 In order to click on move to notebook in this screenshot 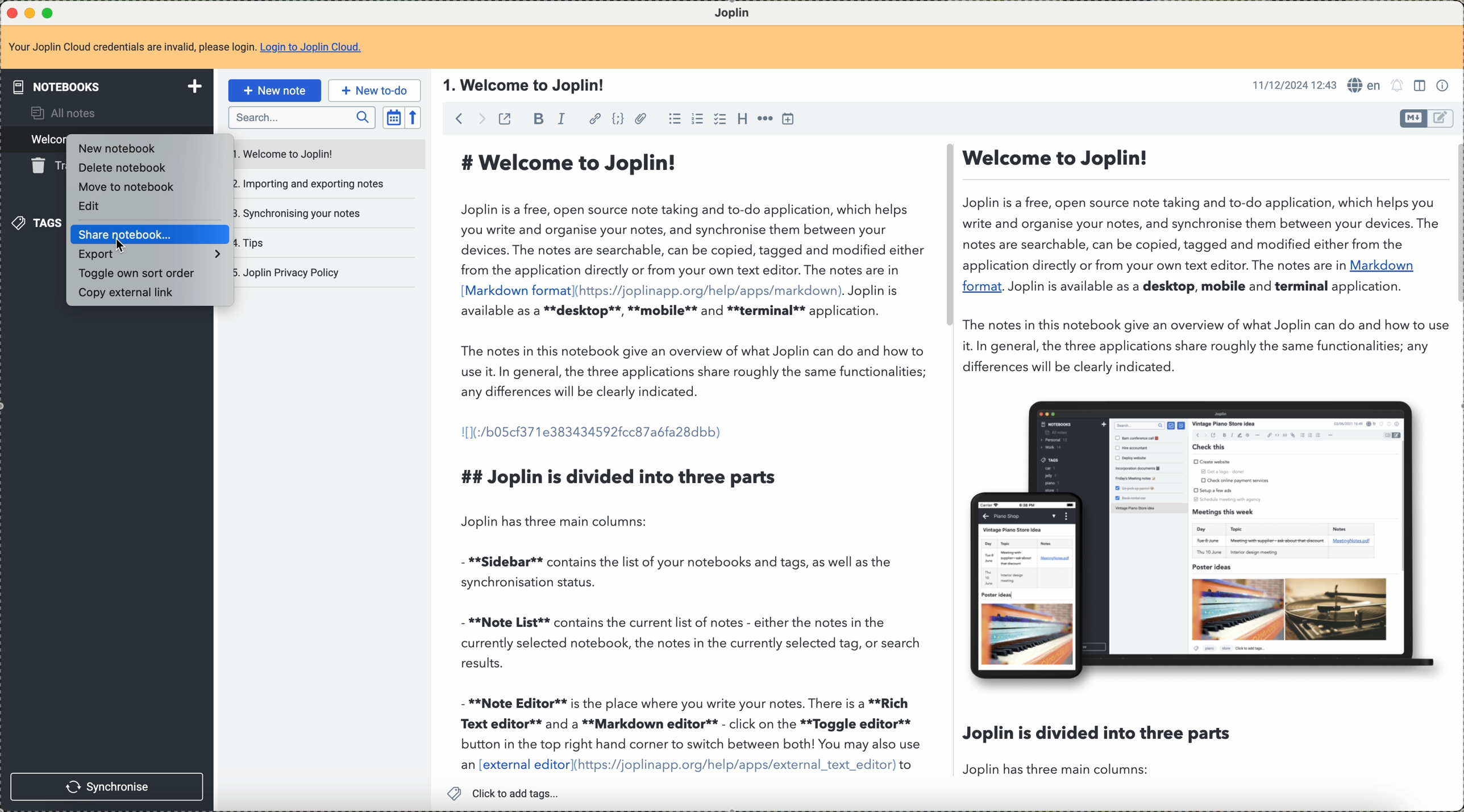, I will do `click(126, 186)`.